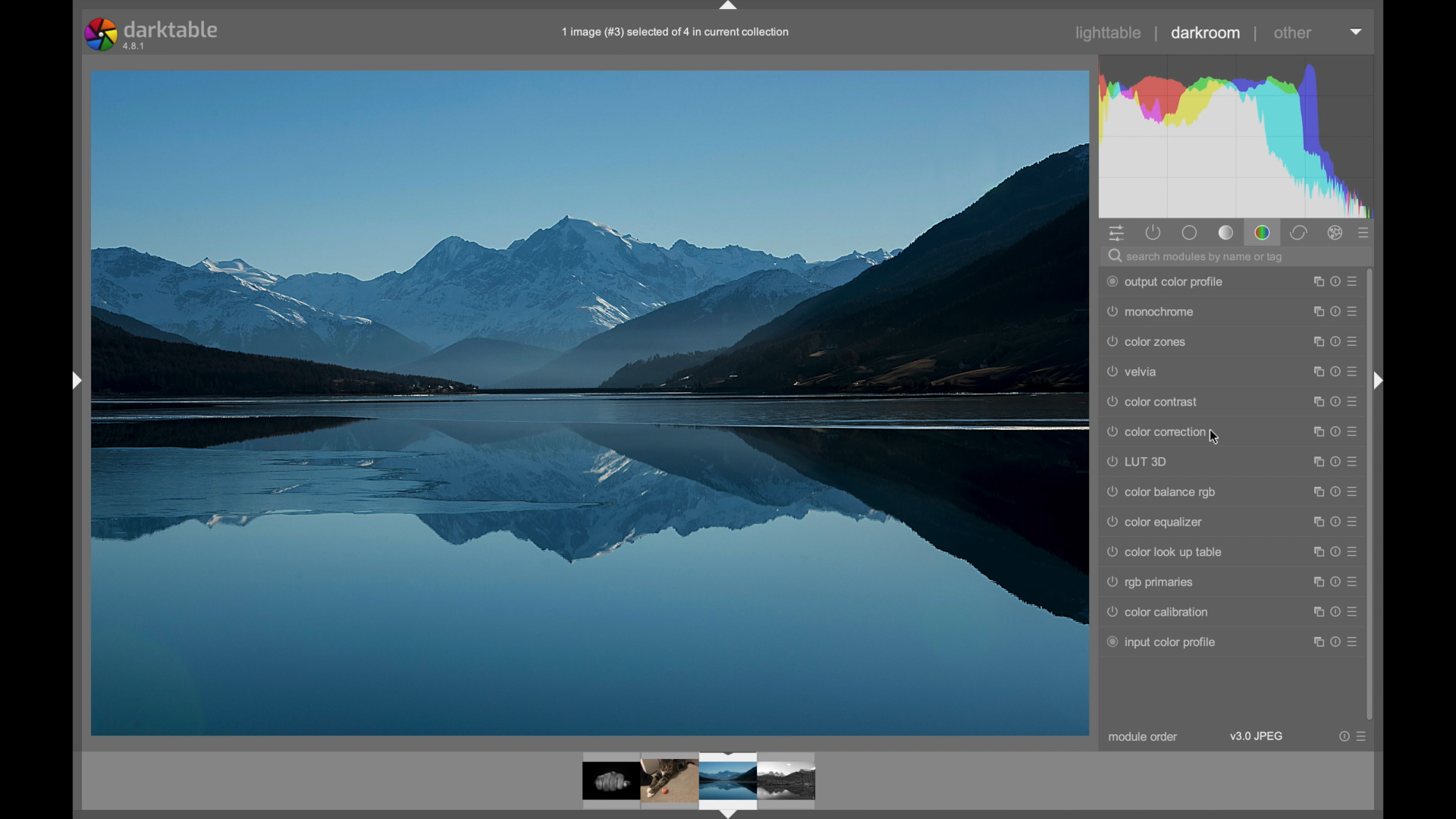  I want to click on more options, so click(1335, 402).